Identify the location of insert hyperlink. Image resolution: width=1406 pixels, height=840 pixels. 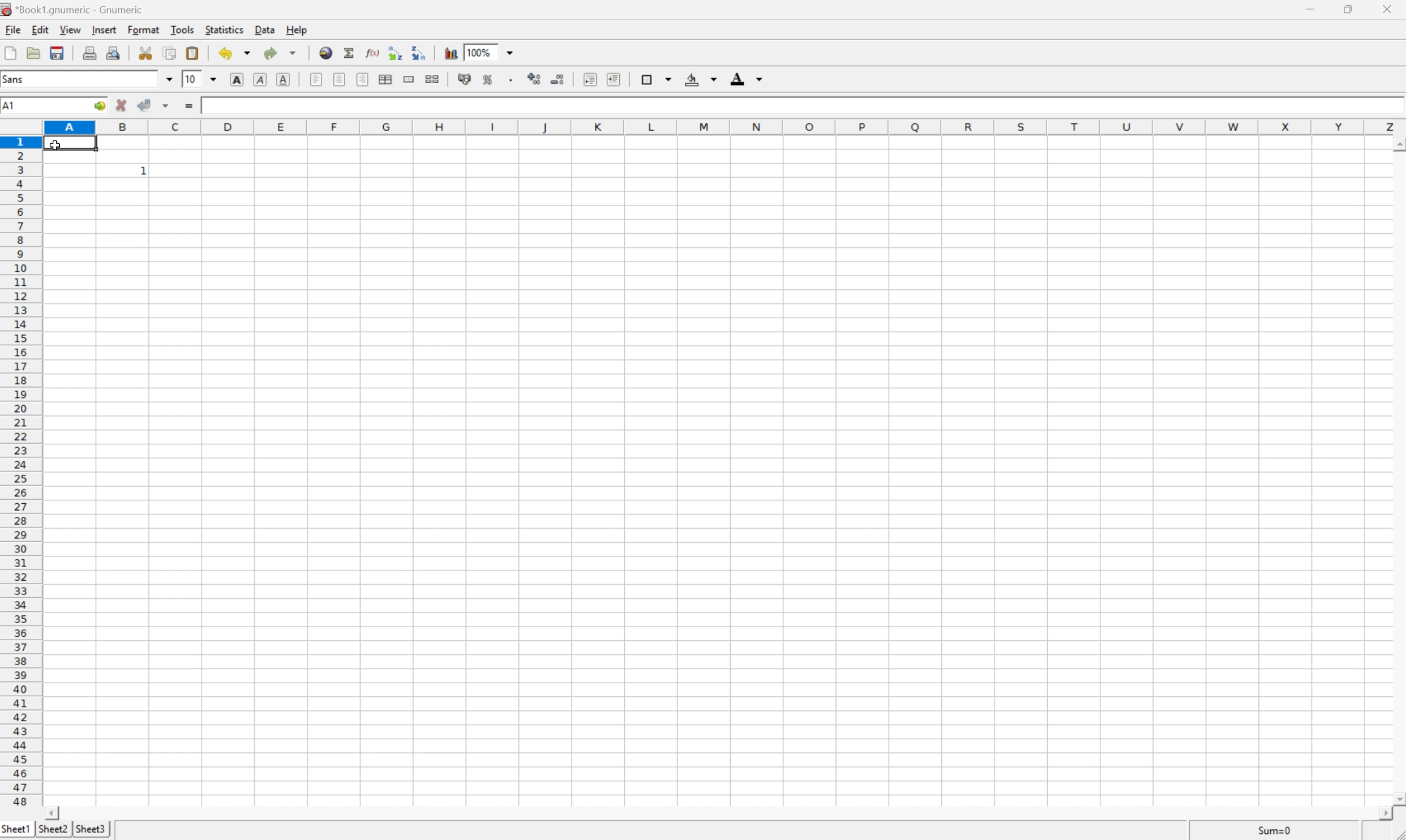
(324, 53).